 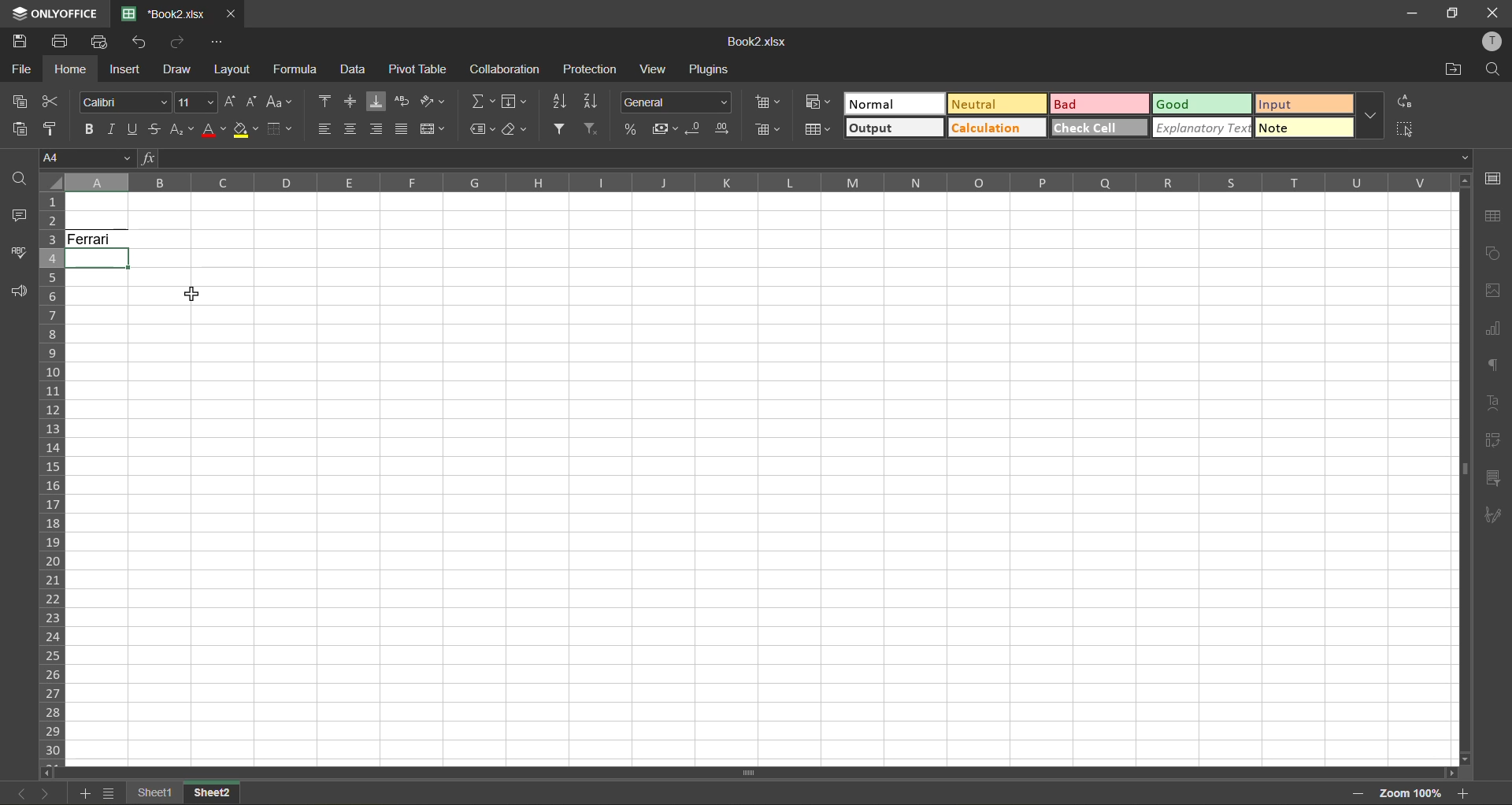 What do you see at coordinates (68, 70) in the screenshot?
I see `home` at bounding box center [68, 70].